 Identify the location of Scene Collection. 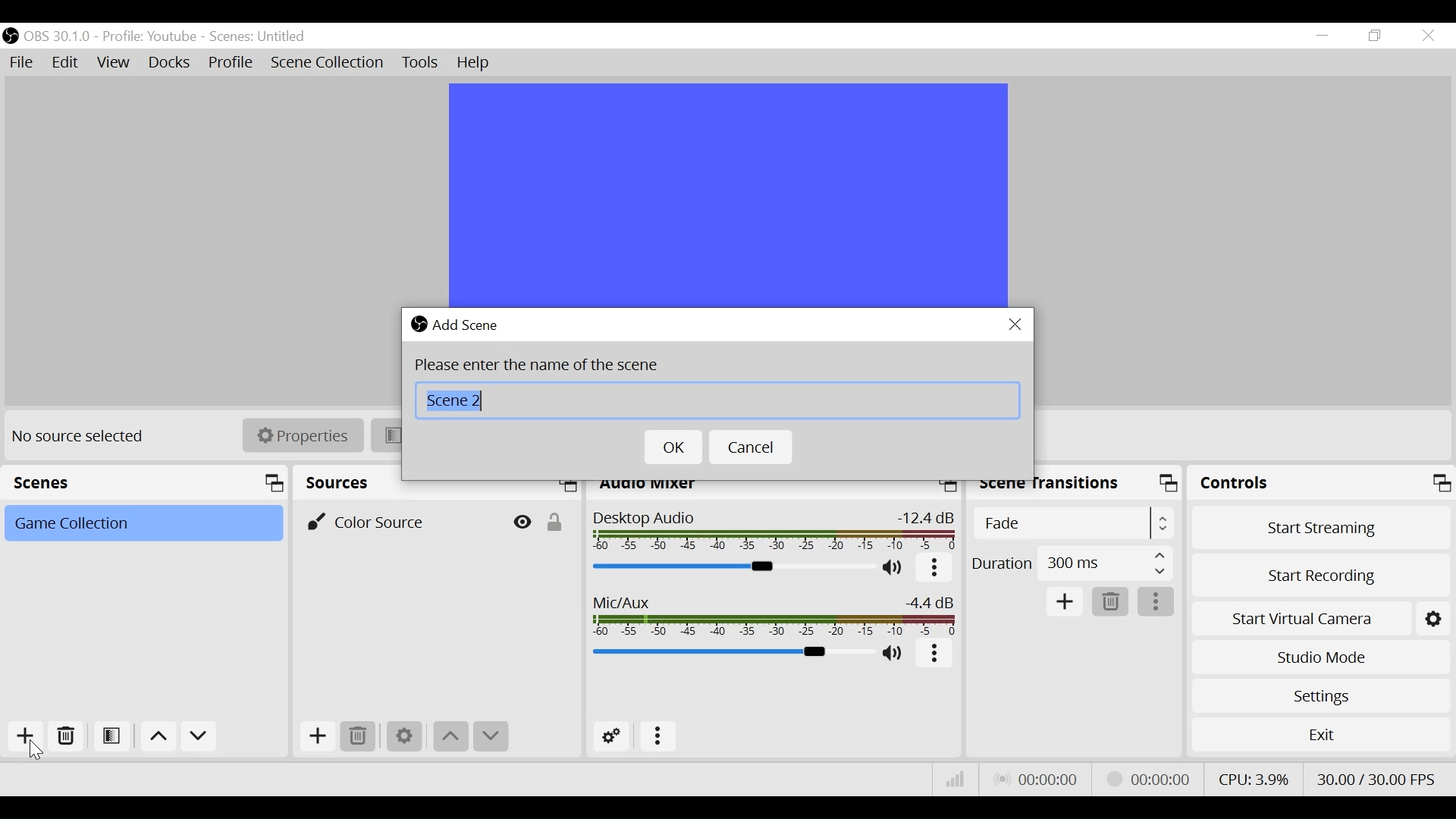
(329, 63).